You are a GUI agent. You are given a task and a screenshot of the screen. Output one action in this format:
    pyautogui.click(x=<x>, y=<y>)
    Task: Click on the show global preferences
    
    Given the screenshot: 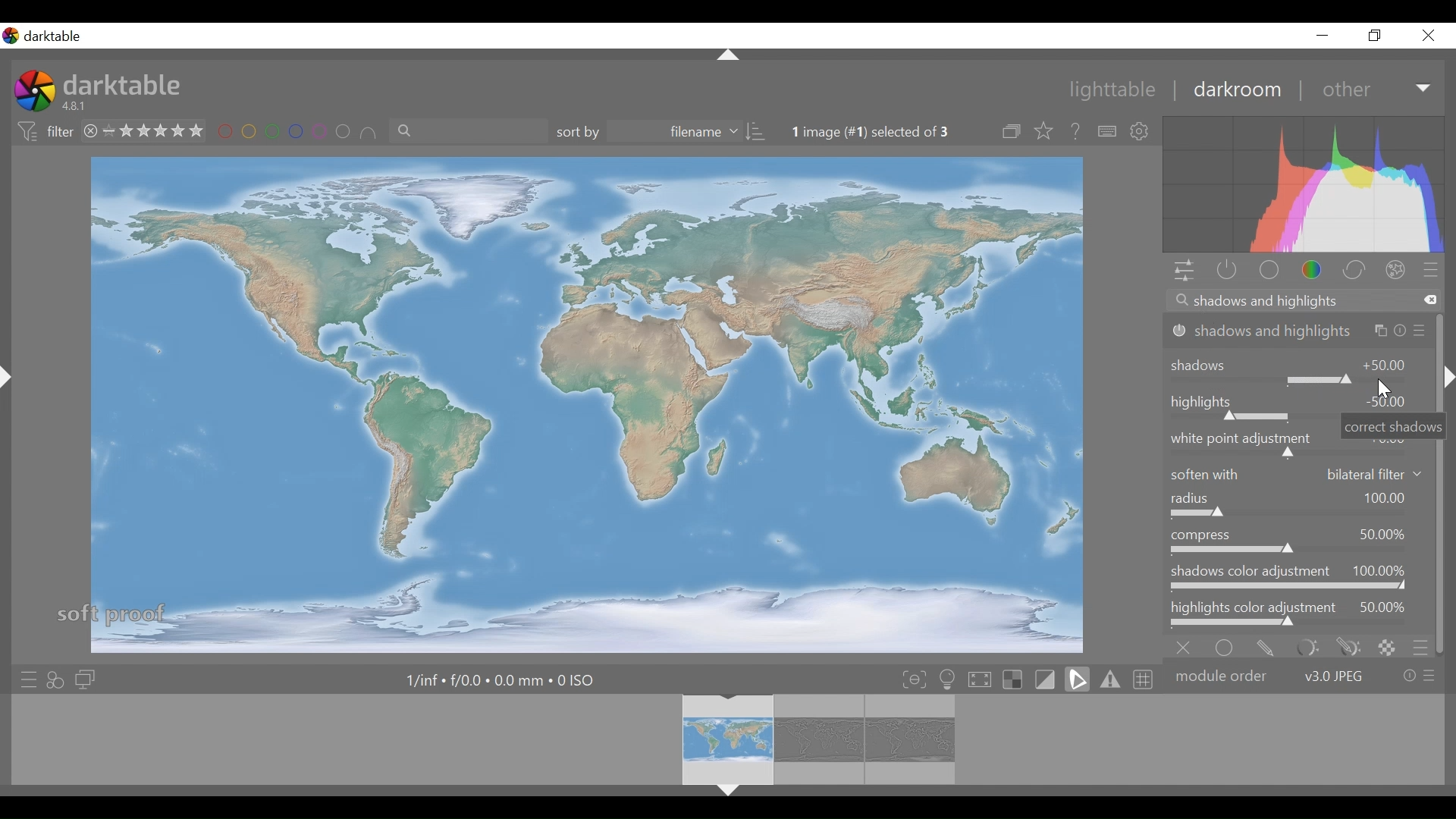 What is the action you would take?
    pyautogui.click(x=1144, y=131)
    